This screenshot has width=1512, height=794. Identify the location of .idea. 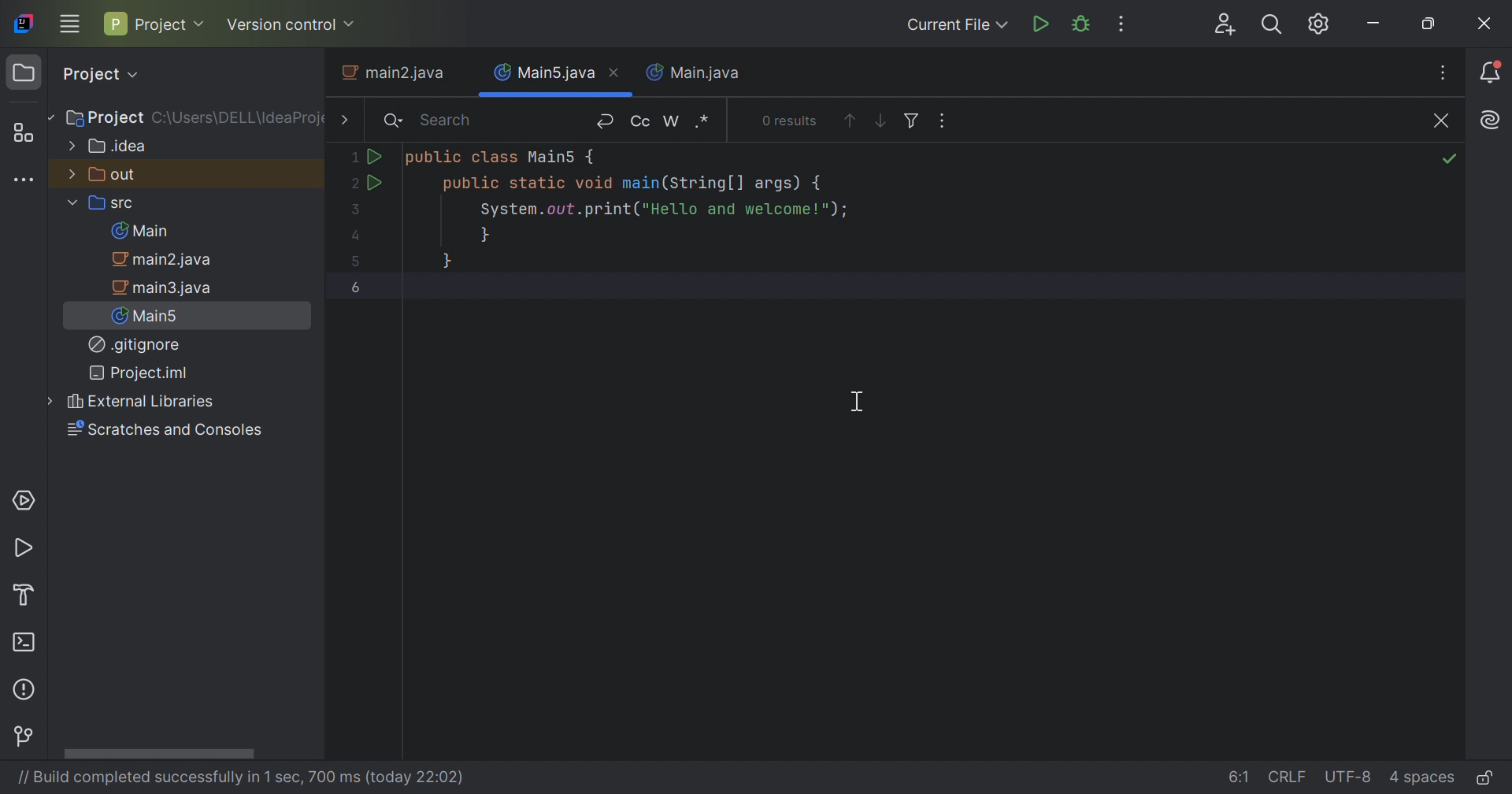
(109, 147).